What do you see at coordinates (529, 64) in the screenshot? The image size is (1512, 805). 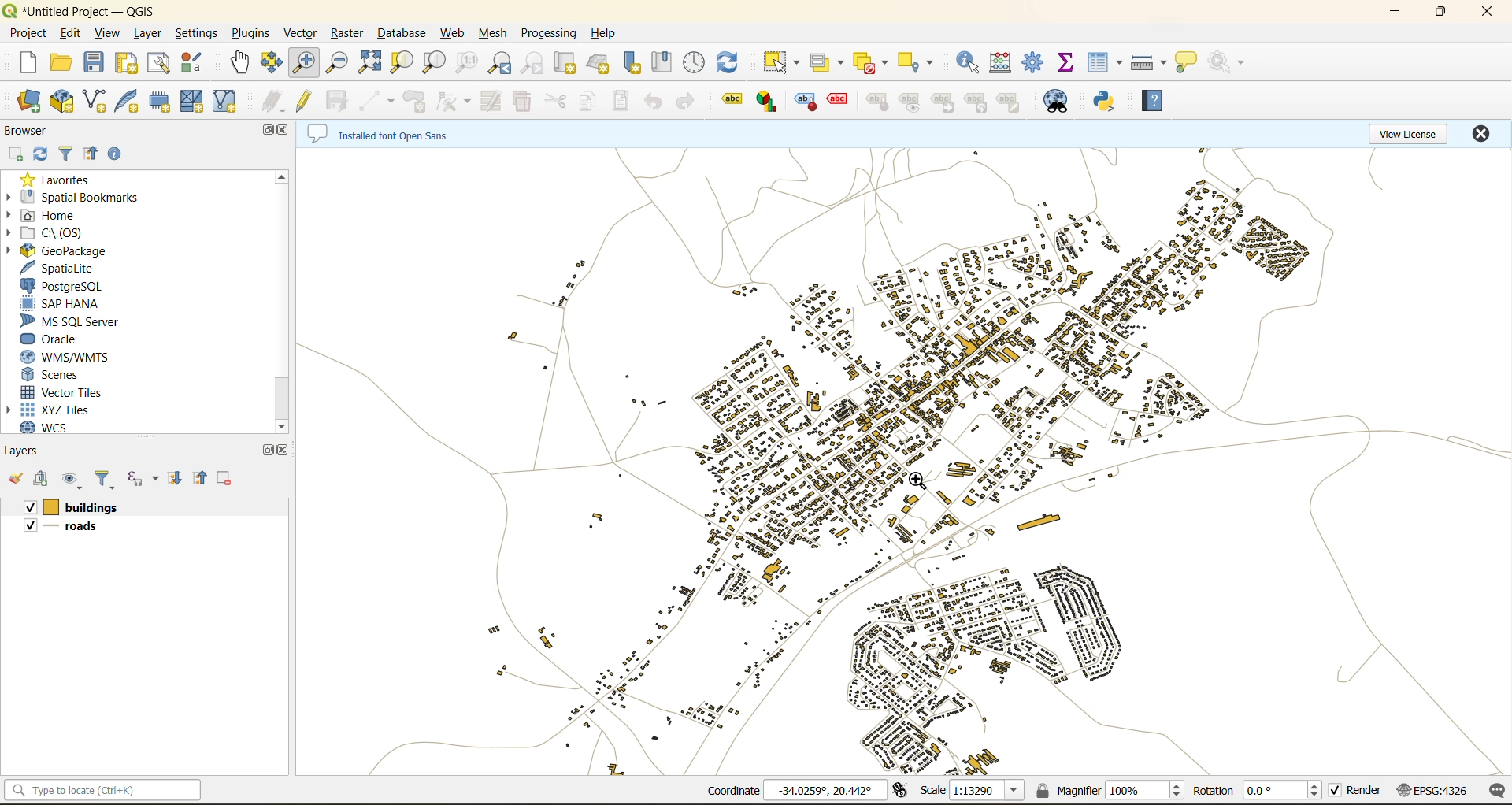 I see `zoom next` at bounding box center [529, 64].